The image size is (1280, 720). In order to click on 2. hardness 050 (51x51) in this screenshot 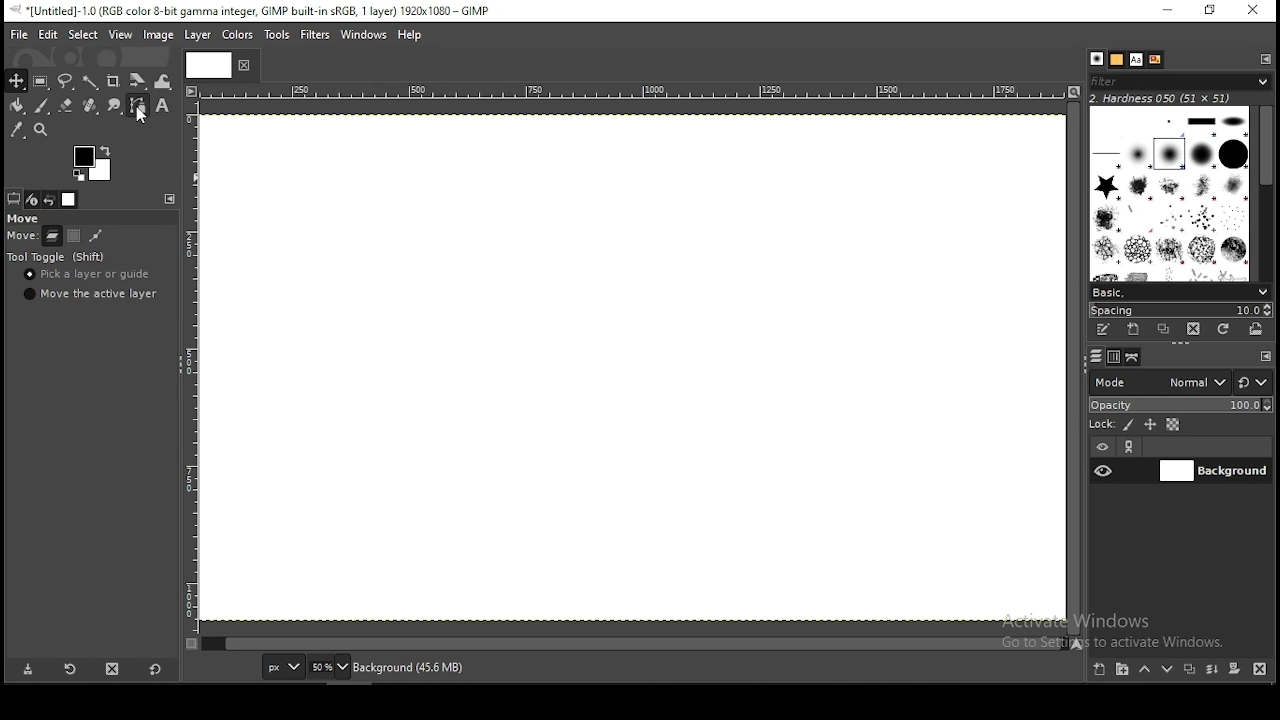, I will do `click(1170, 99)`.